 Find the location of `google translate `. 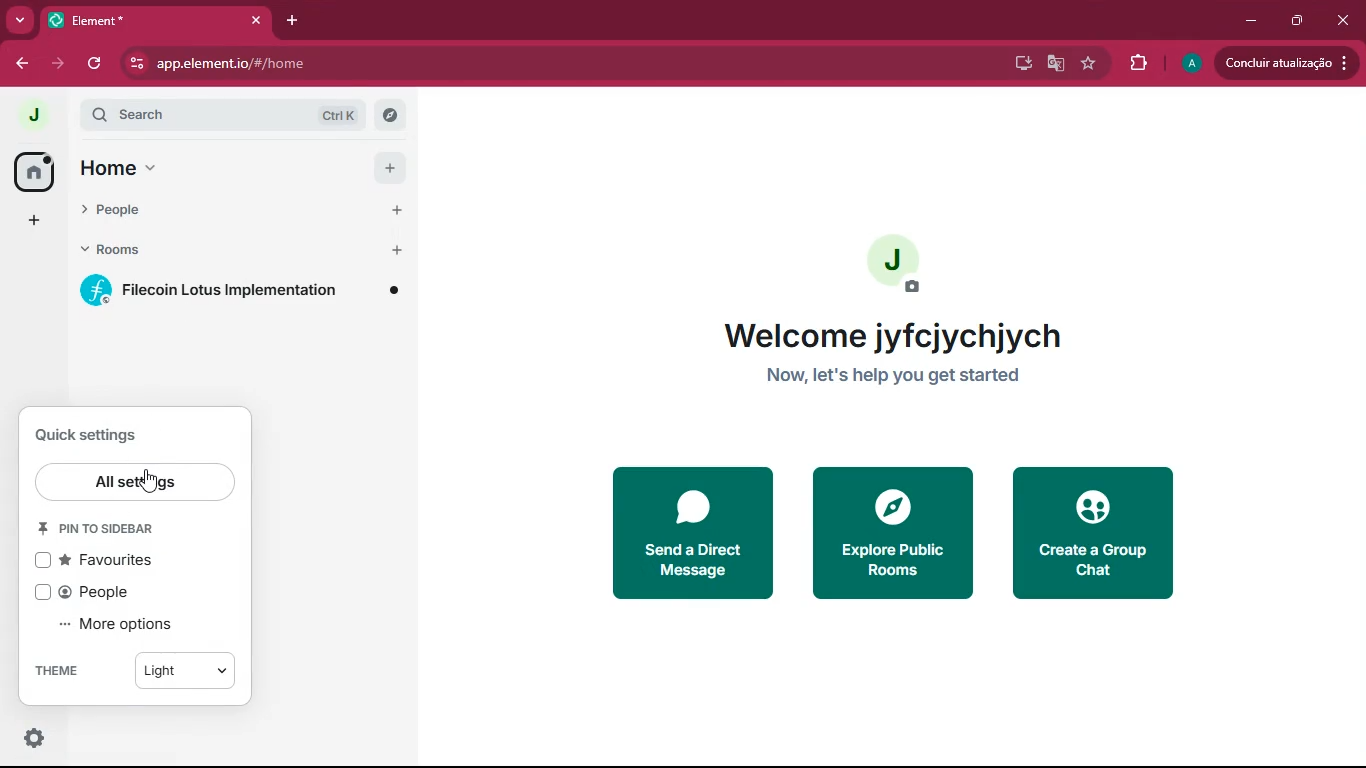

google translate  is located at coordinates (1052, 65).